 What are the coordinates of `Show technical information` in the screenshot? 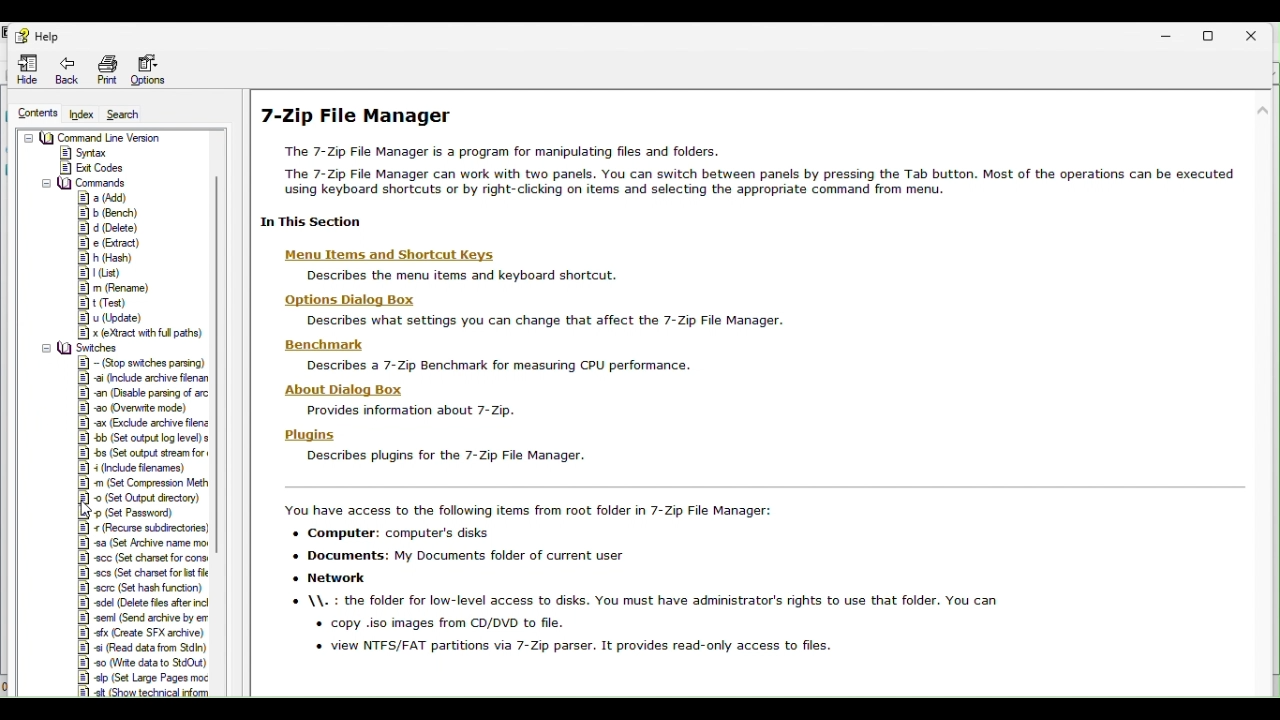 It's located at (143, 693).